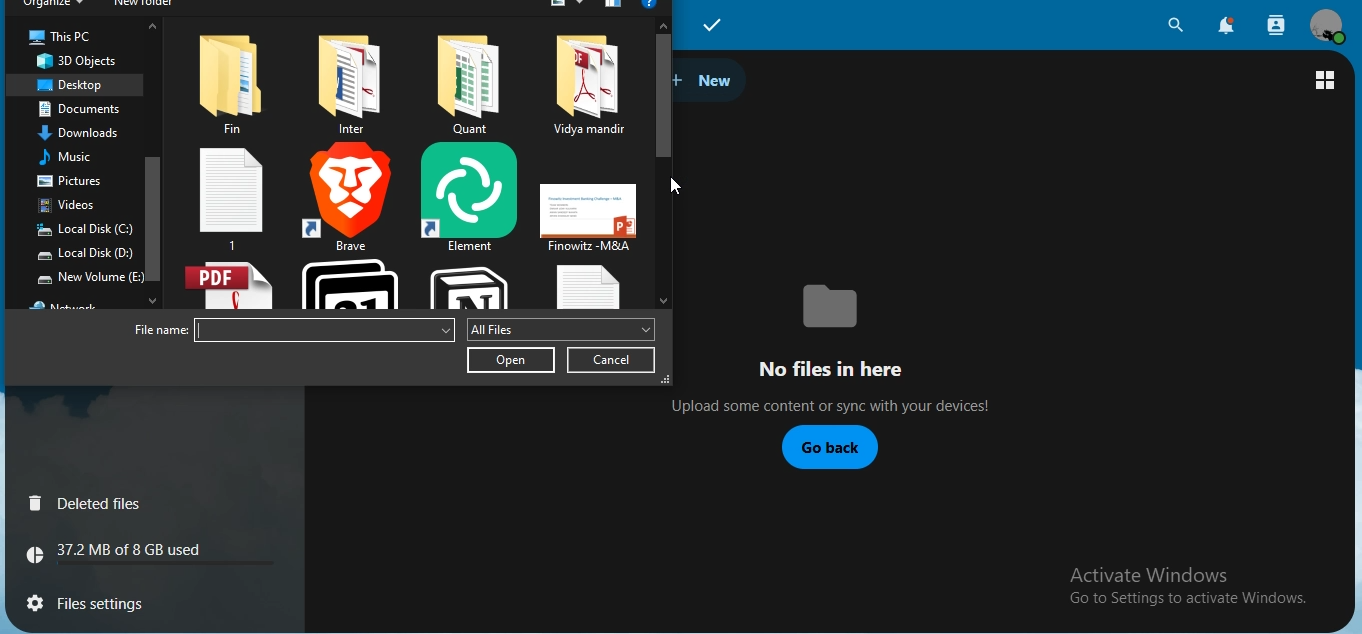 The image size is (1362, 634). Describe the element at coordinates (87, 230) in the screenshot. I see `local disk C` at that location.